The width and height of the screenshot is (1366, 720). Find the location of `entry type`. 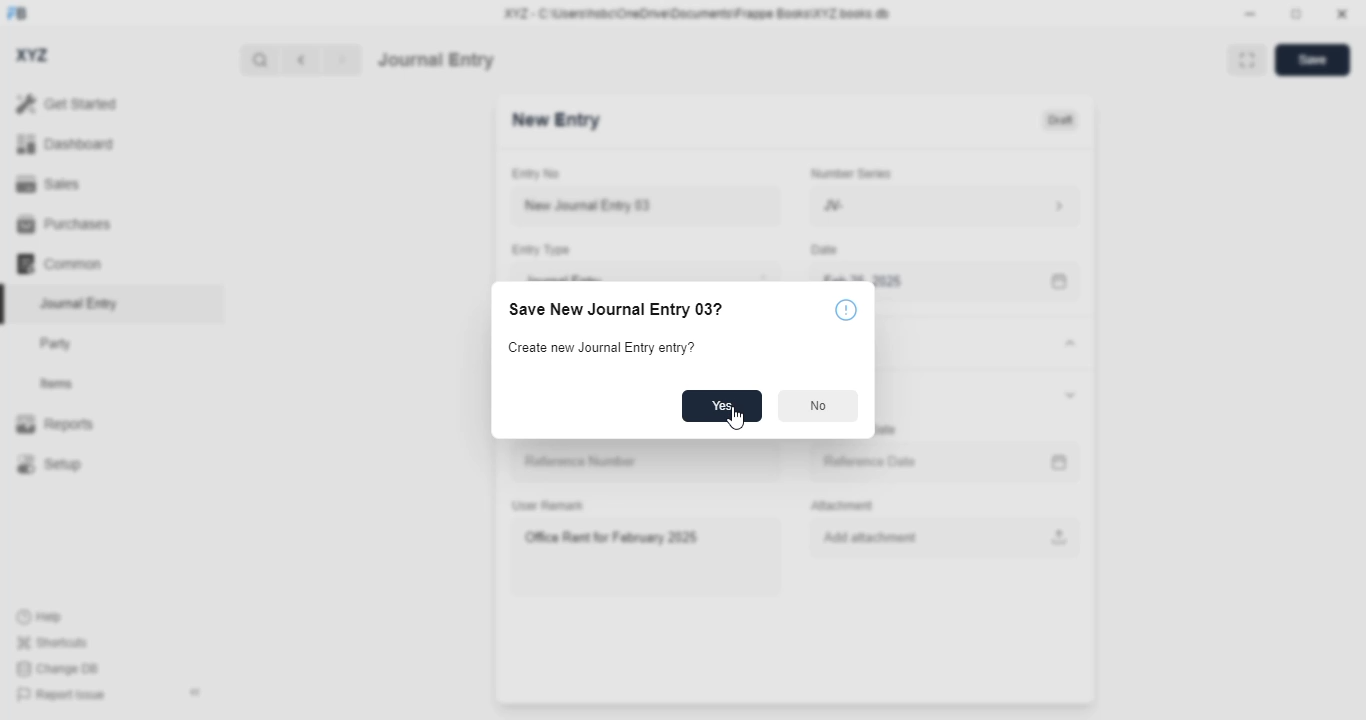

entry type is located at coordinates (643, 272).